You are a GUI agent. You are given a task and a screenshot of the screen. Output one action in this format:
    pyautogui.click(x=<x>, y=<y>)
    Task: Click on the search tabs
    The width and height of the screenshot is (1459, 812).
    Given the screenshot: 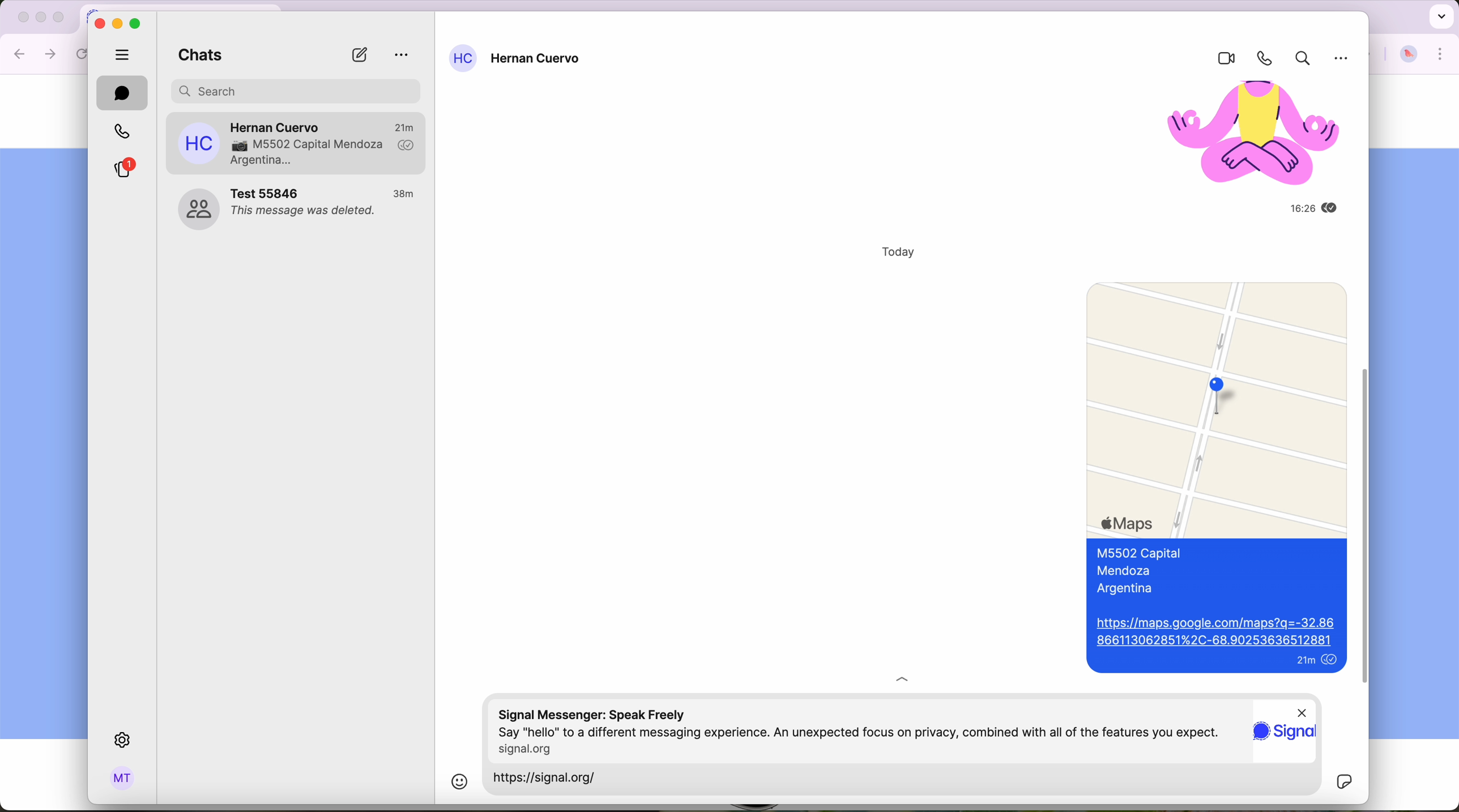 What is the action you would take?
    pyautogui.click(x=1440, y=15)
    